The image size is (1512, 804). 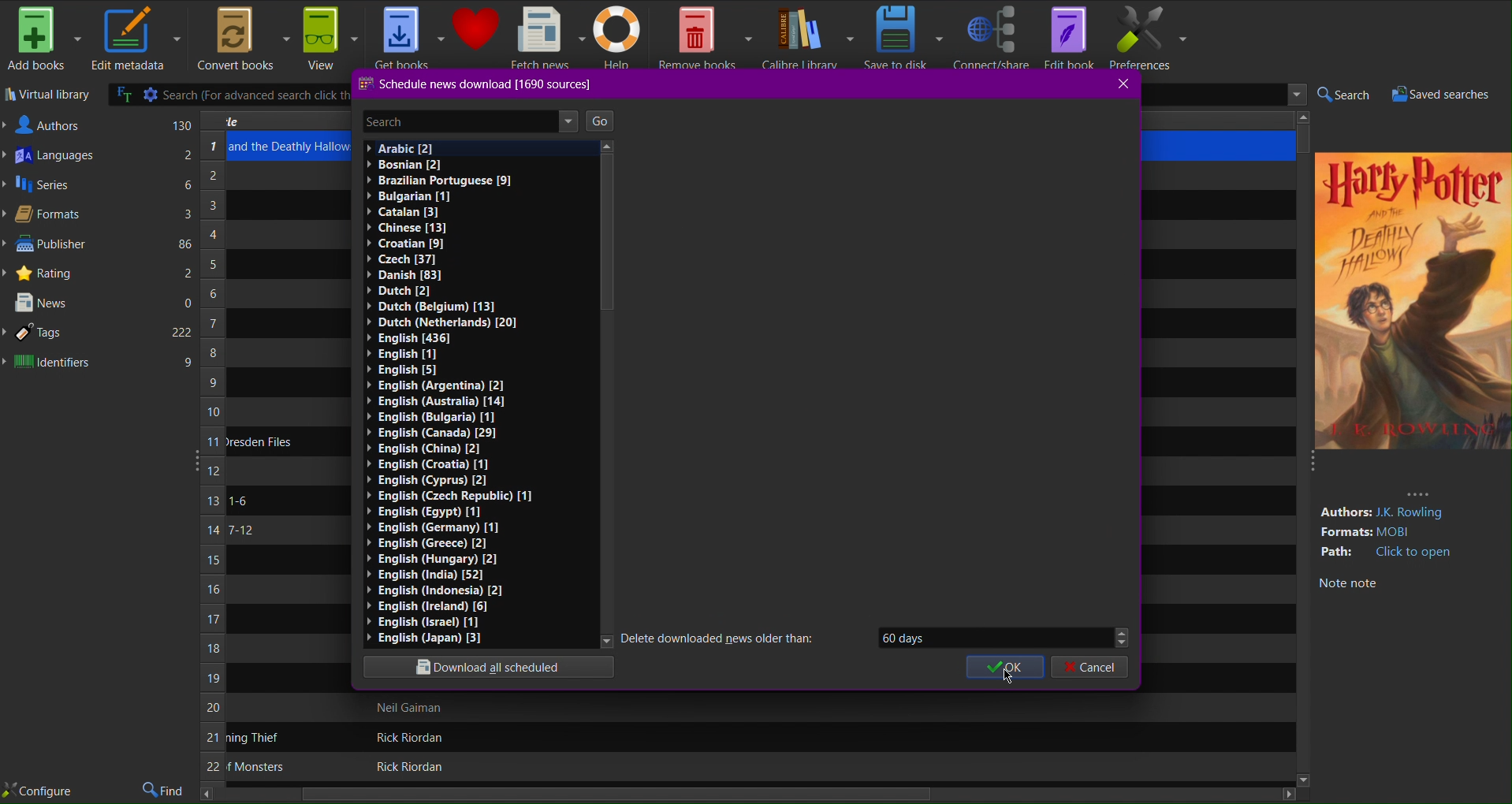 I want to click on English [436], so click(x=412, y=337).